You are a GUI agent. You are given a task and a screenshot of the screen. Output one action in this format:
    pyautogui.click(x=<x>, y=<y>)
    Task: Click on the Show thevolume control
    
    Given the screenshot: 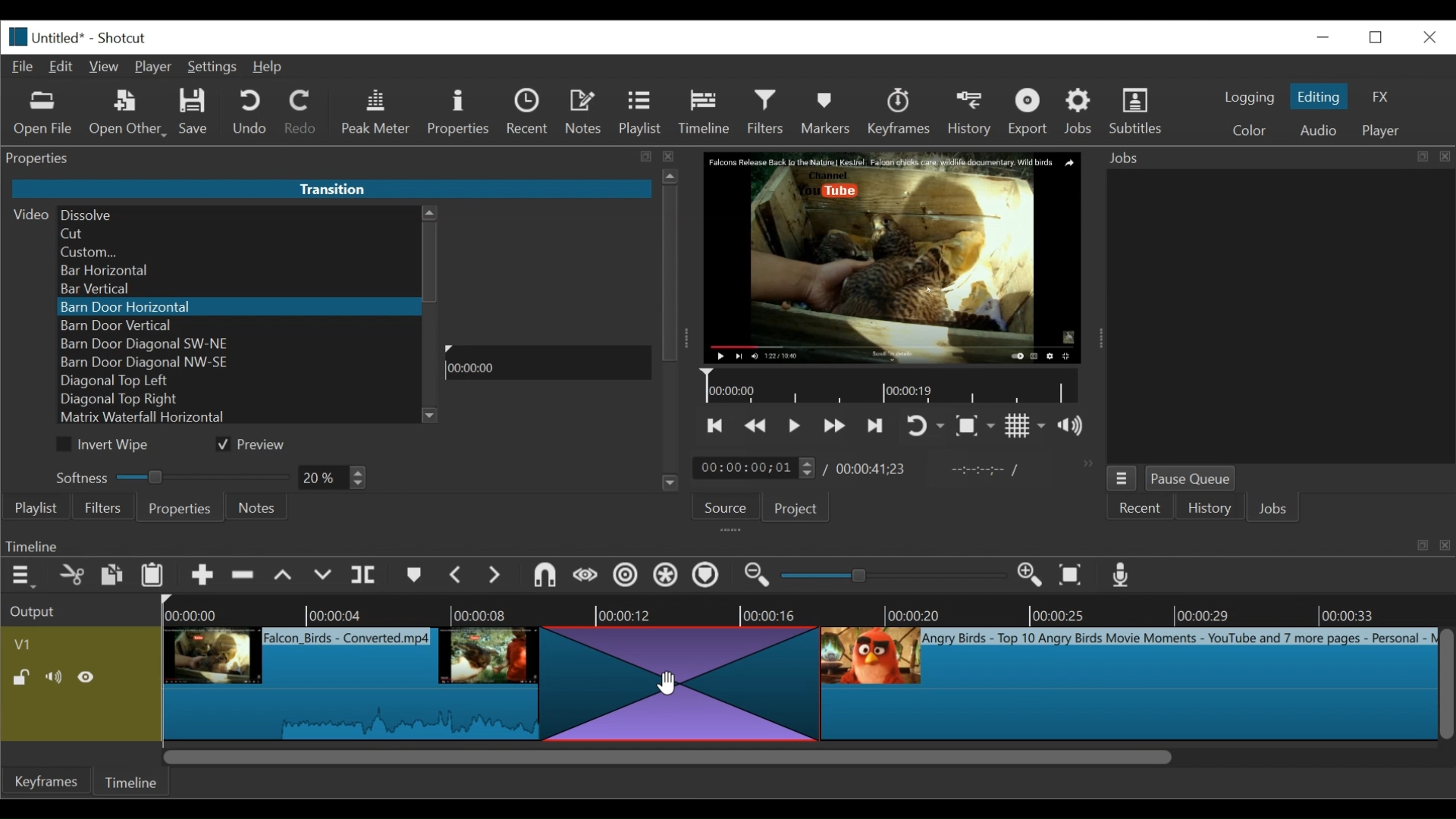 What is the action you would take?
    pyautogui.click(x=1075, y=425)
    